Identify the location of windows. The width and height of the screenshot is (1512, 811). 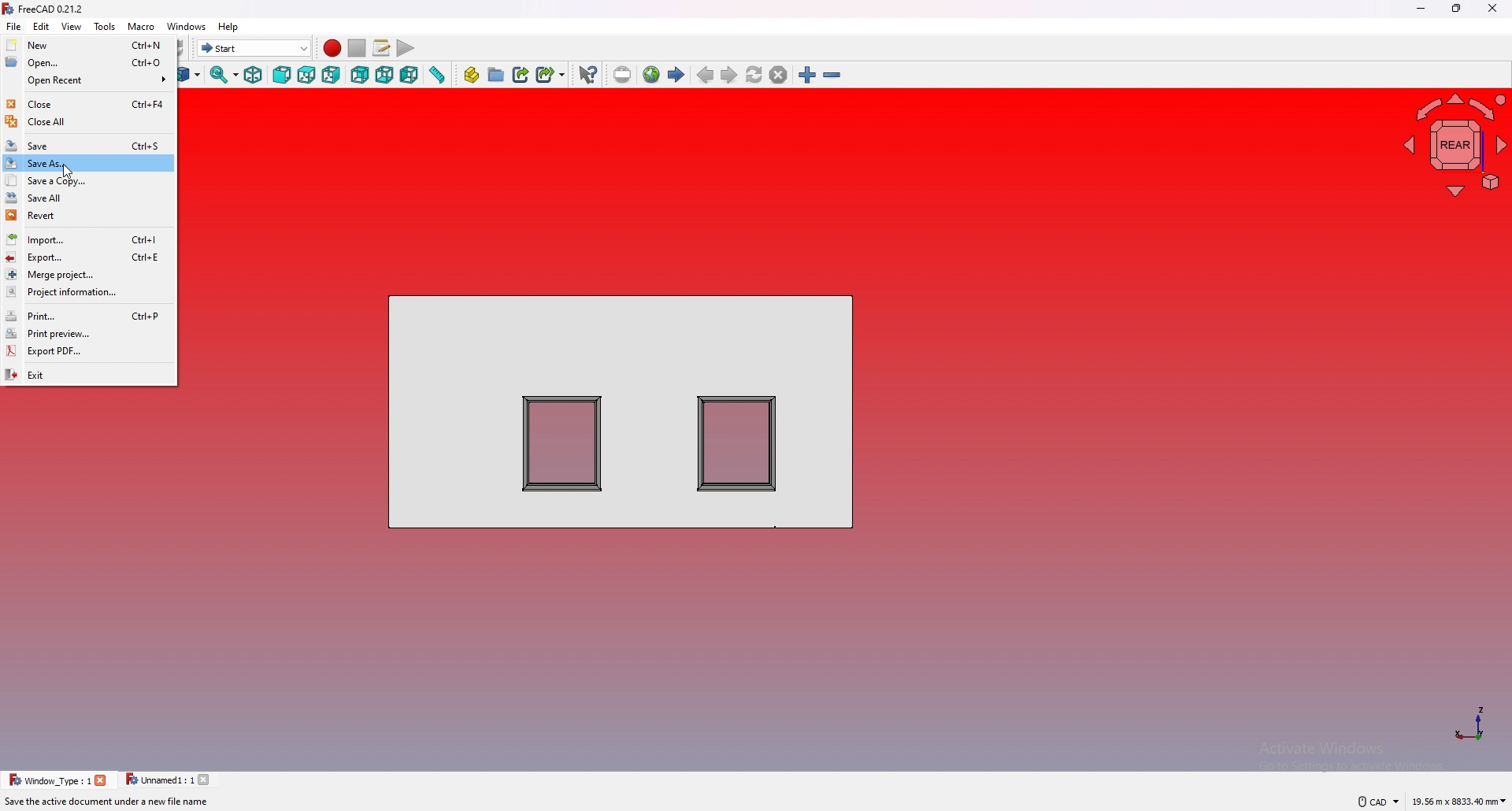
(185, 26).